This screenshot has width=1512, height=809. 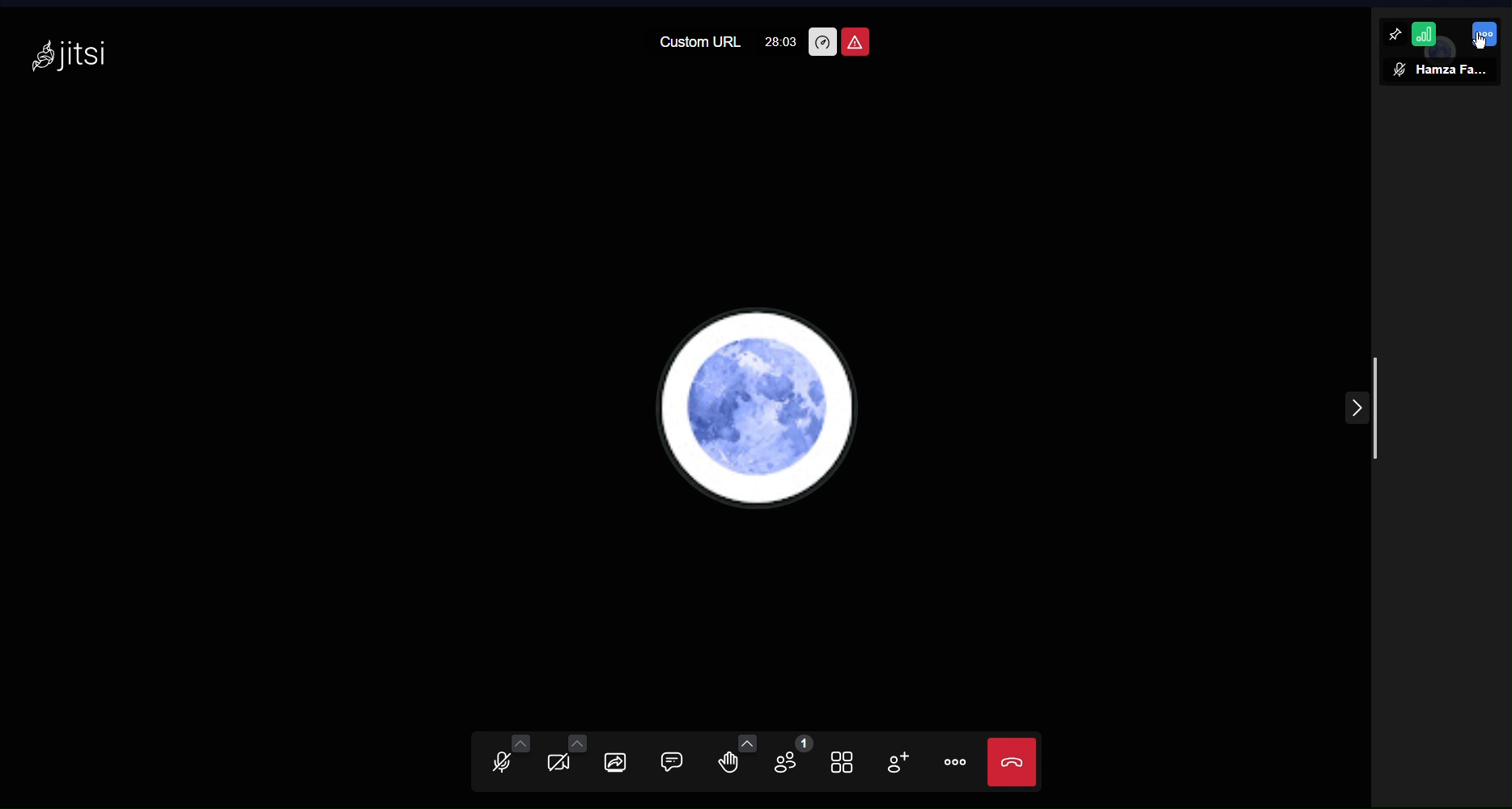 I want to click on Video, so click(x=566, y=760).